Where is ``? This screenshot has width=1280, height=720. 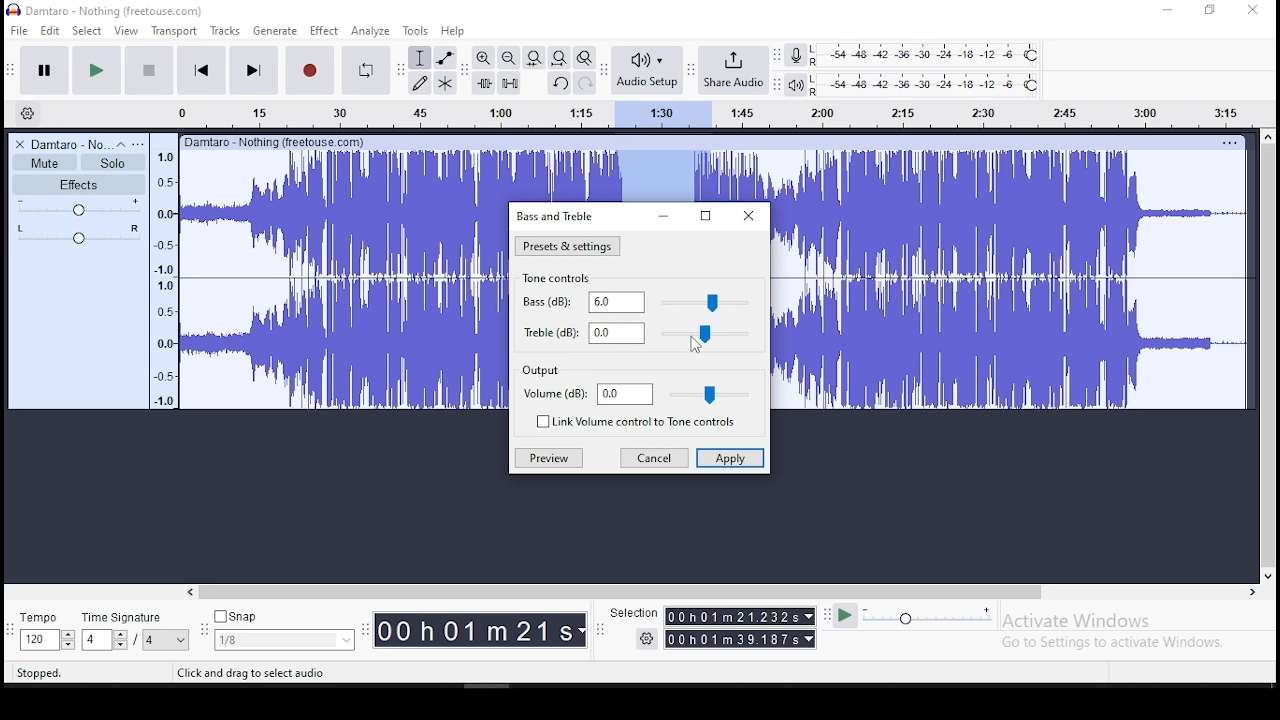  is located at coordinates (825, 615).